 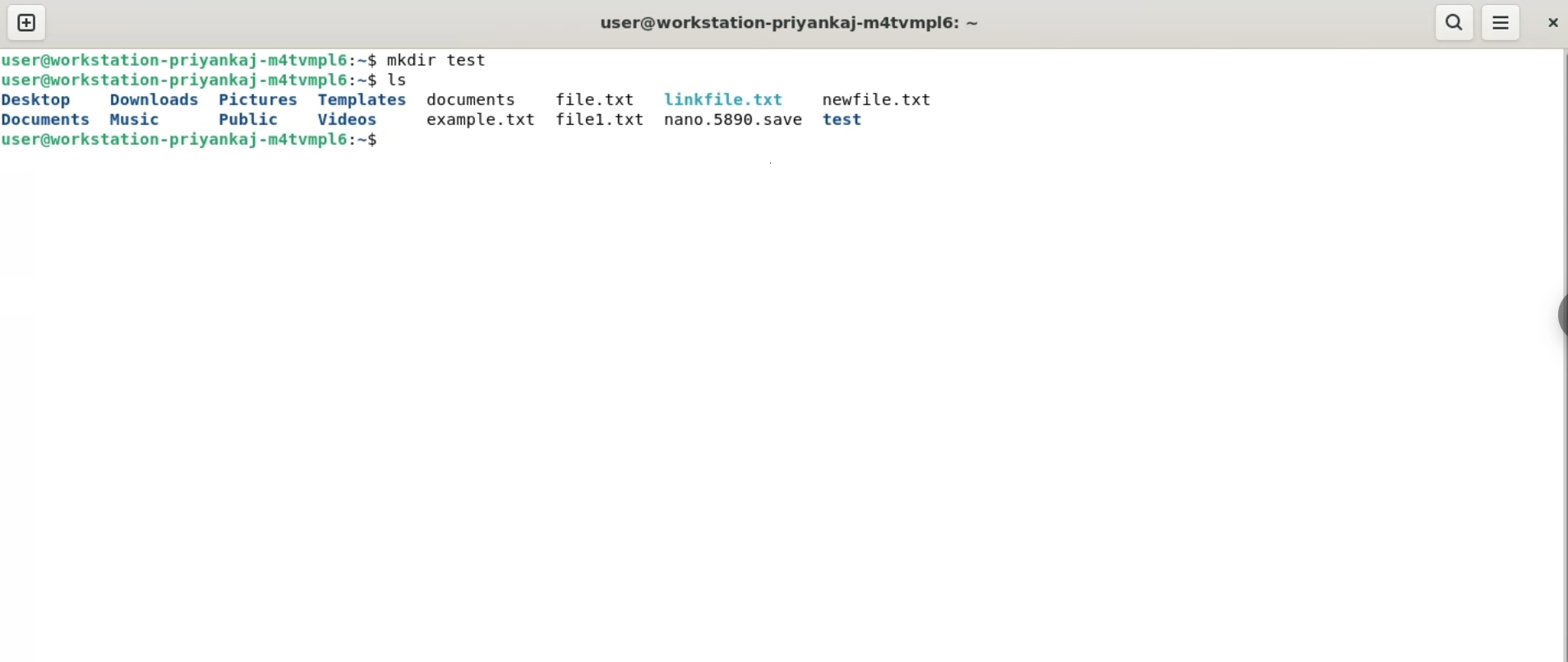 What do you see at coordinates (731, 121) in the screenshot?
I see `nano` at bounding box center [731, 121].